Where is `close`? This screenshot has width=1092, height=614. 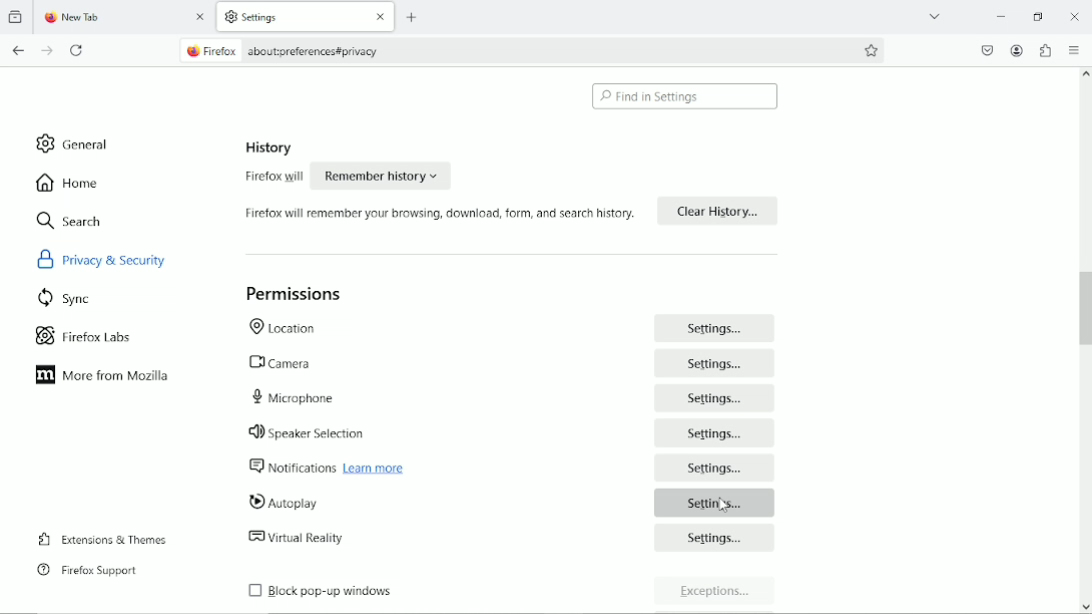
close is located at coordinates (202, 19).